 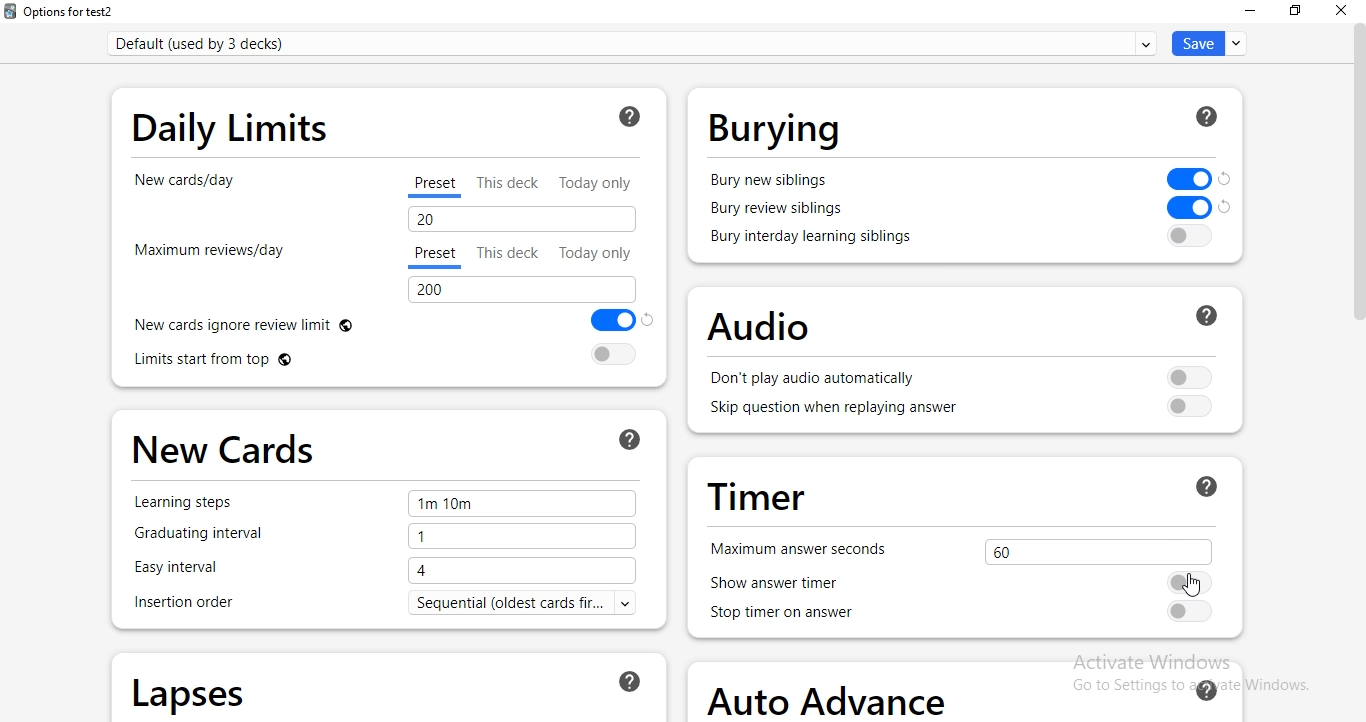 What do you see at coordinates (184, 602) in the screenshot?
I see `insertion order` at bounding box center [184, 602].